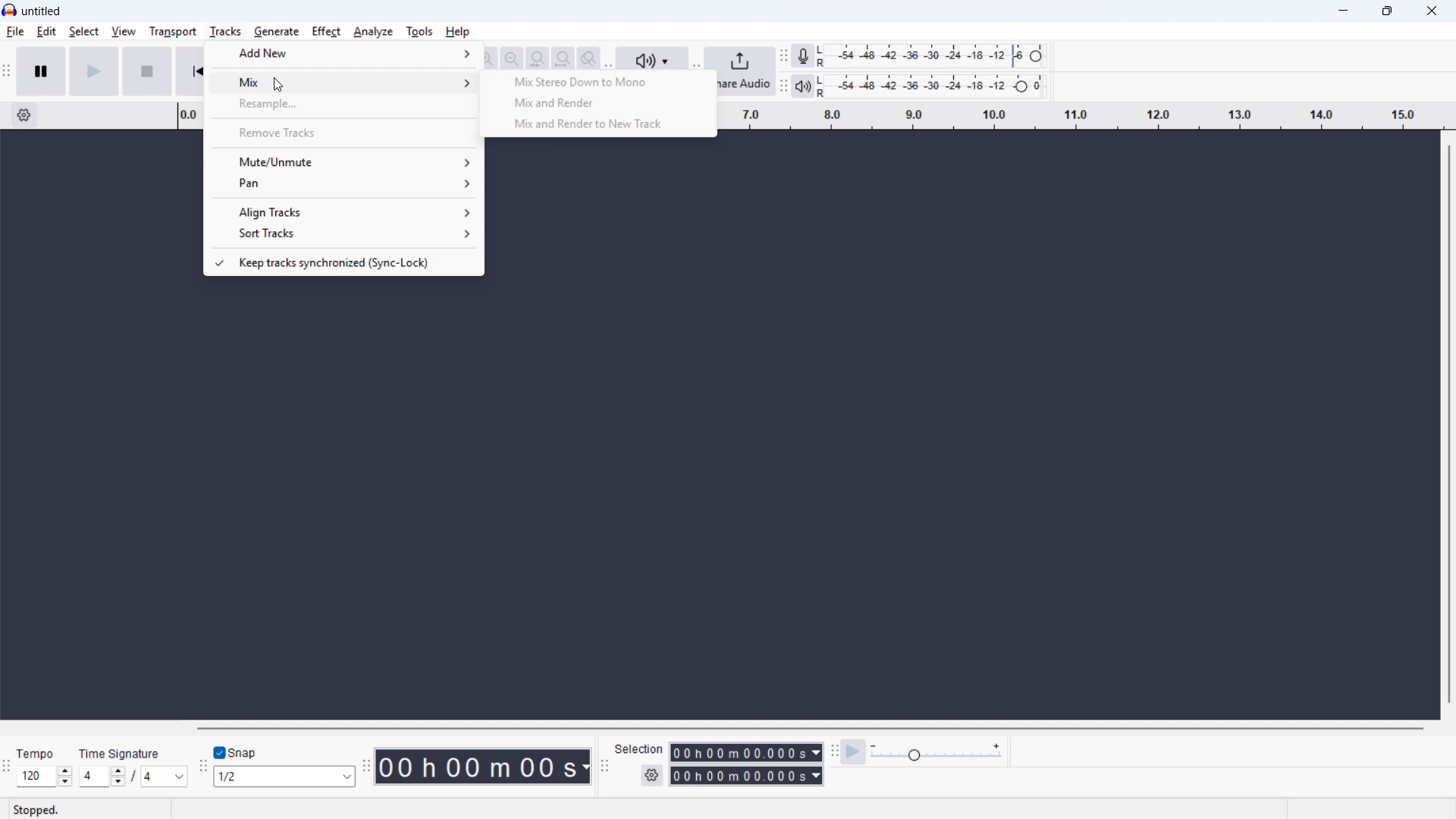  Describe the element at coordinates (538, 58) in the screenshot. I see `Fit selection to width ` at that location.